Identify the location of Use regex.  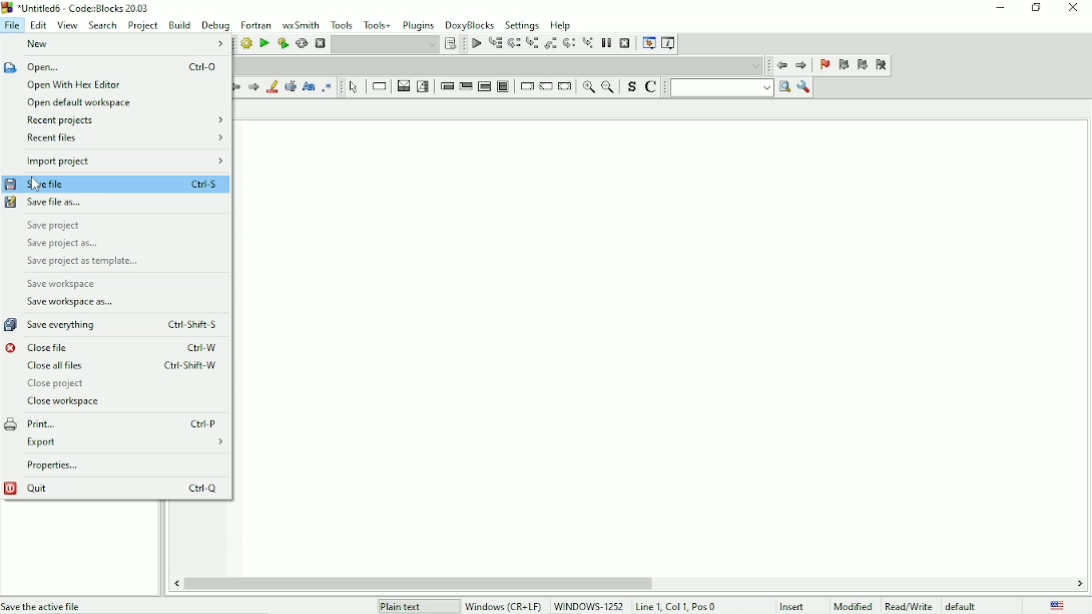
(329, 87).